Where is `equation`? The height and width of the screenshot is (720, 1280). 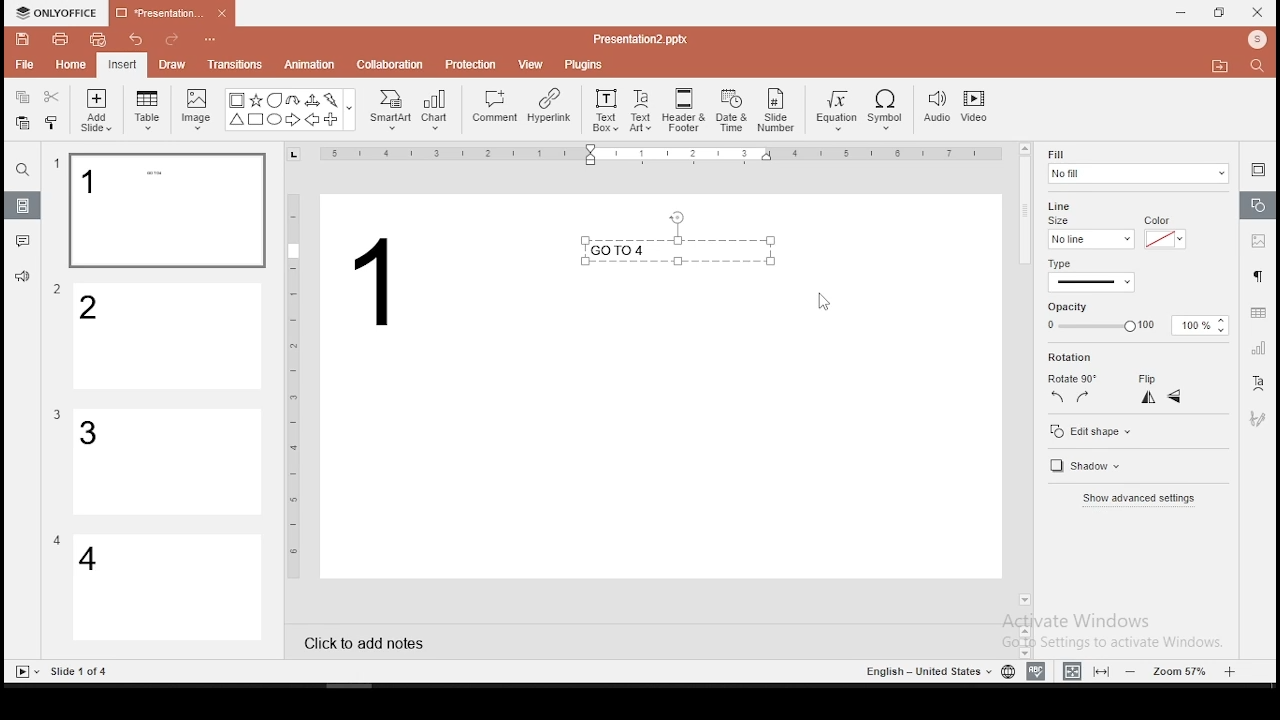
equation is located at coordinates (835, 111).